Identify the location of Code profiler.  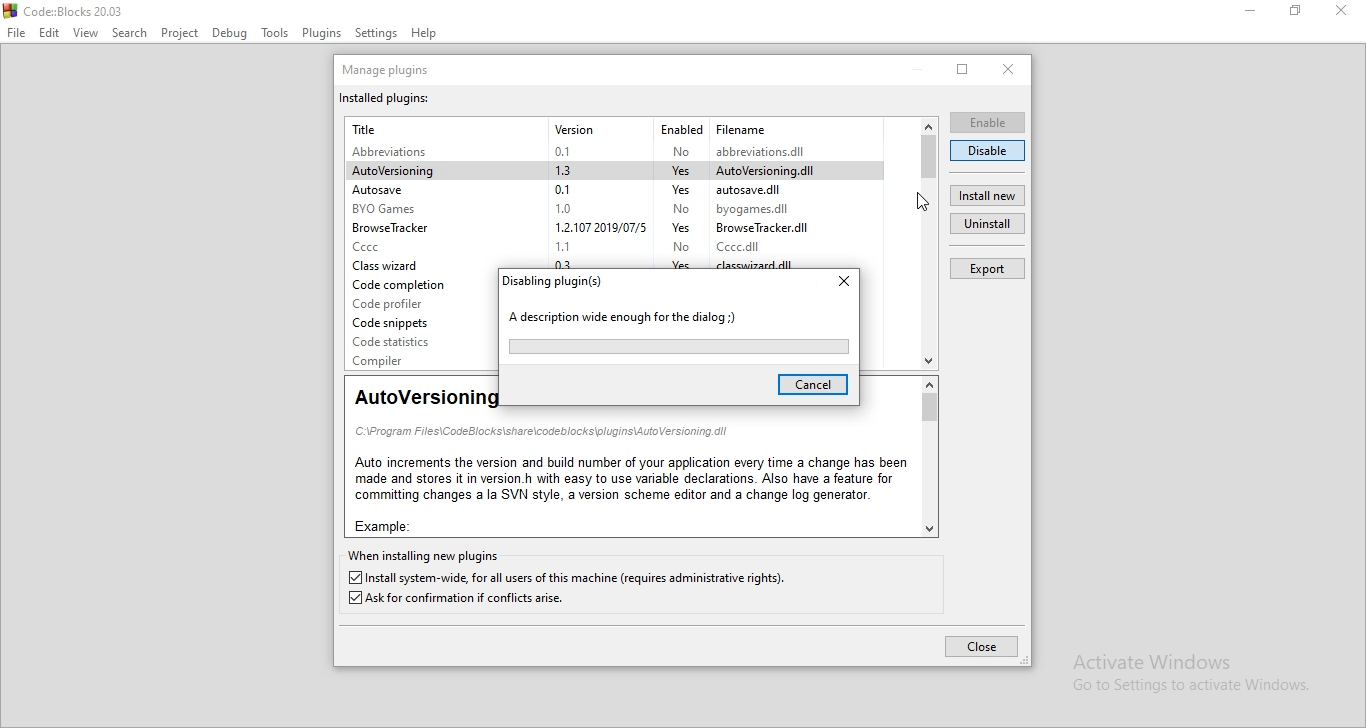
(404, 303).